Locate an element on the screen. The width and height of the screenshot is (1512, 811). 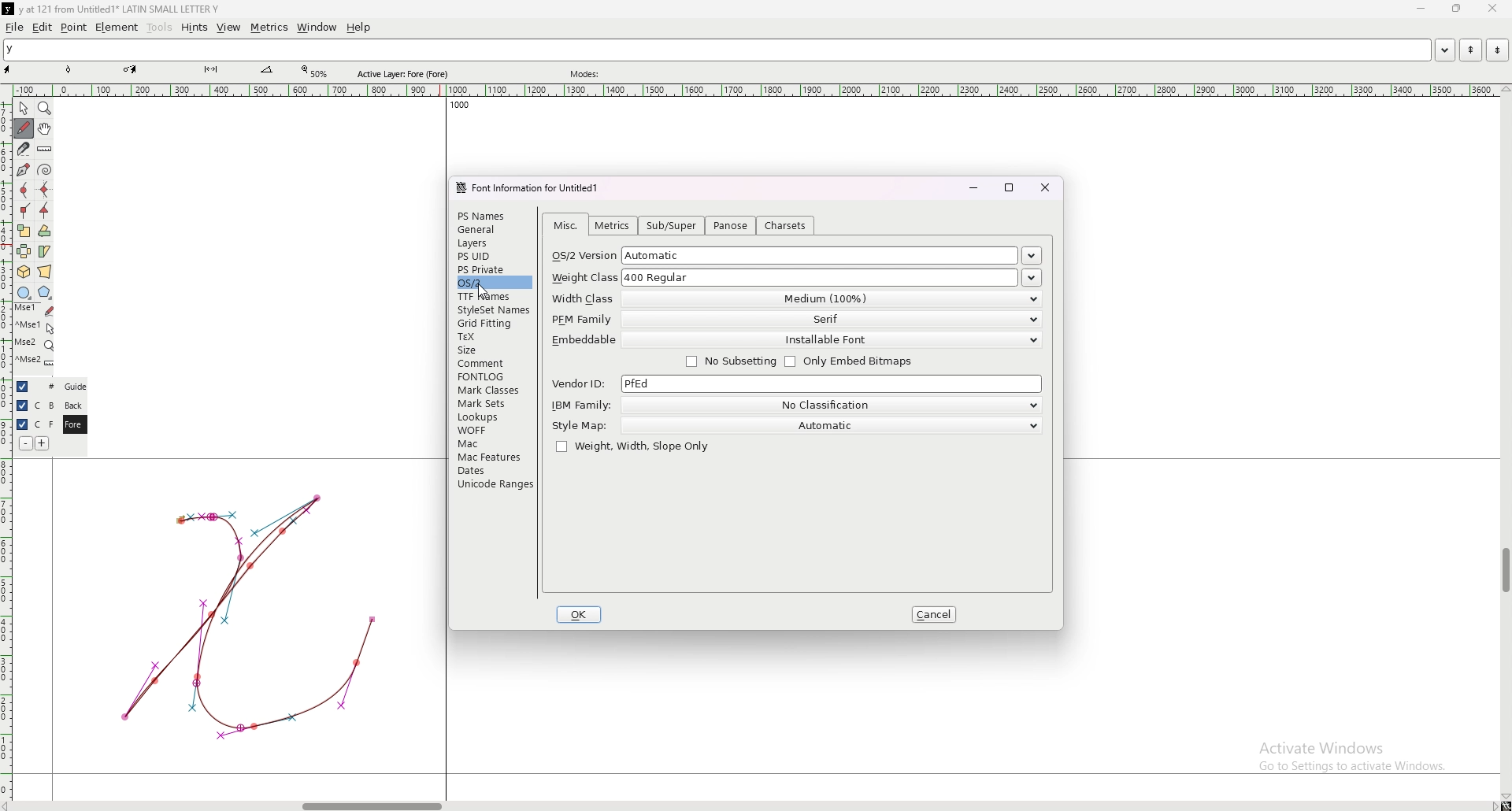
cut a spline in two is located at coordinates (22, 149).